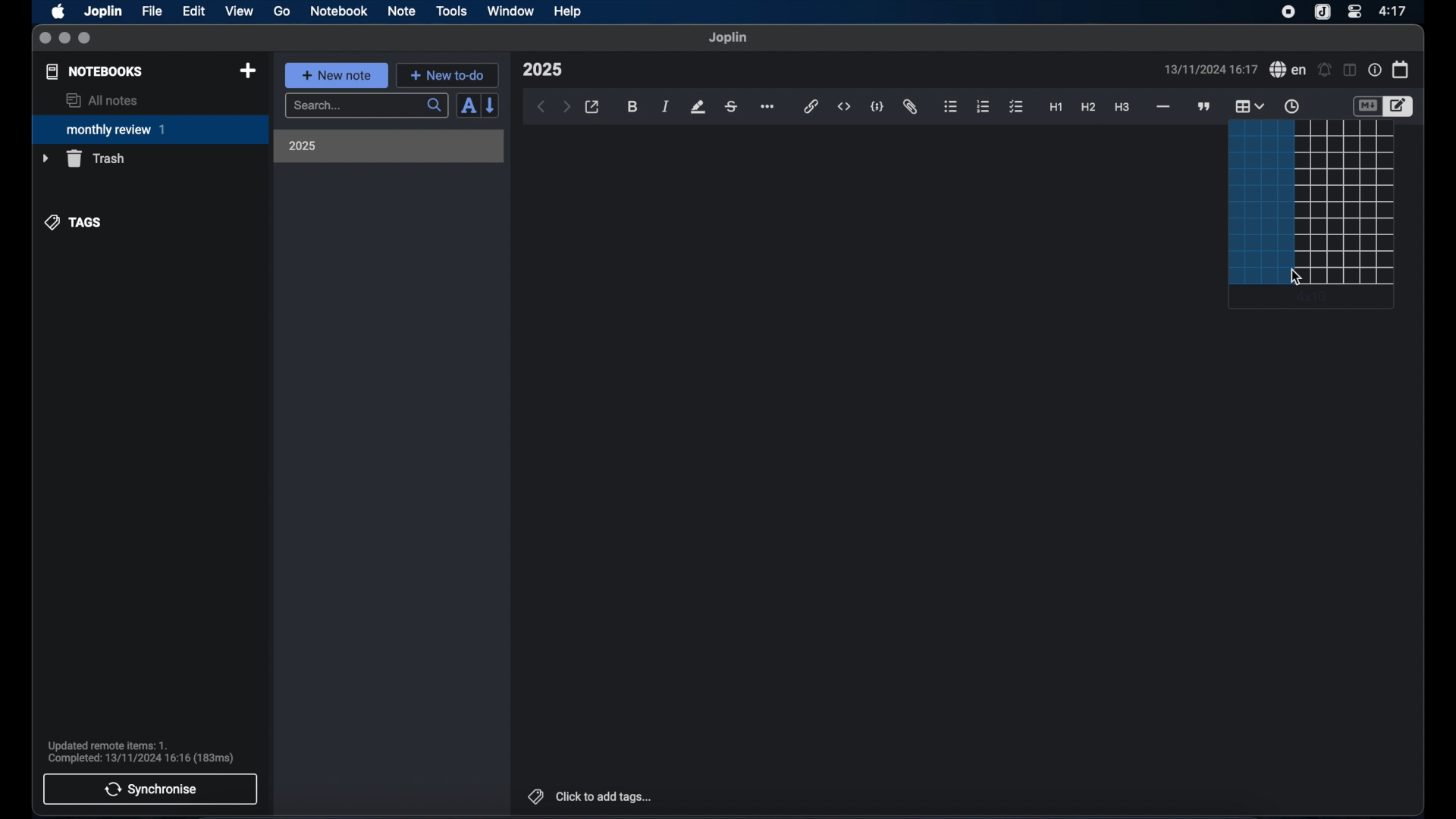 Image resolution: width=1456 pixels, height=819 pixels. What do you see at coordinates (1401, 69) in the screenshot?
I see `calendar` at bounding box center [1401, 69].